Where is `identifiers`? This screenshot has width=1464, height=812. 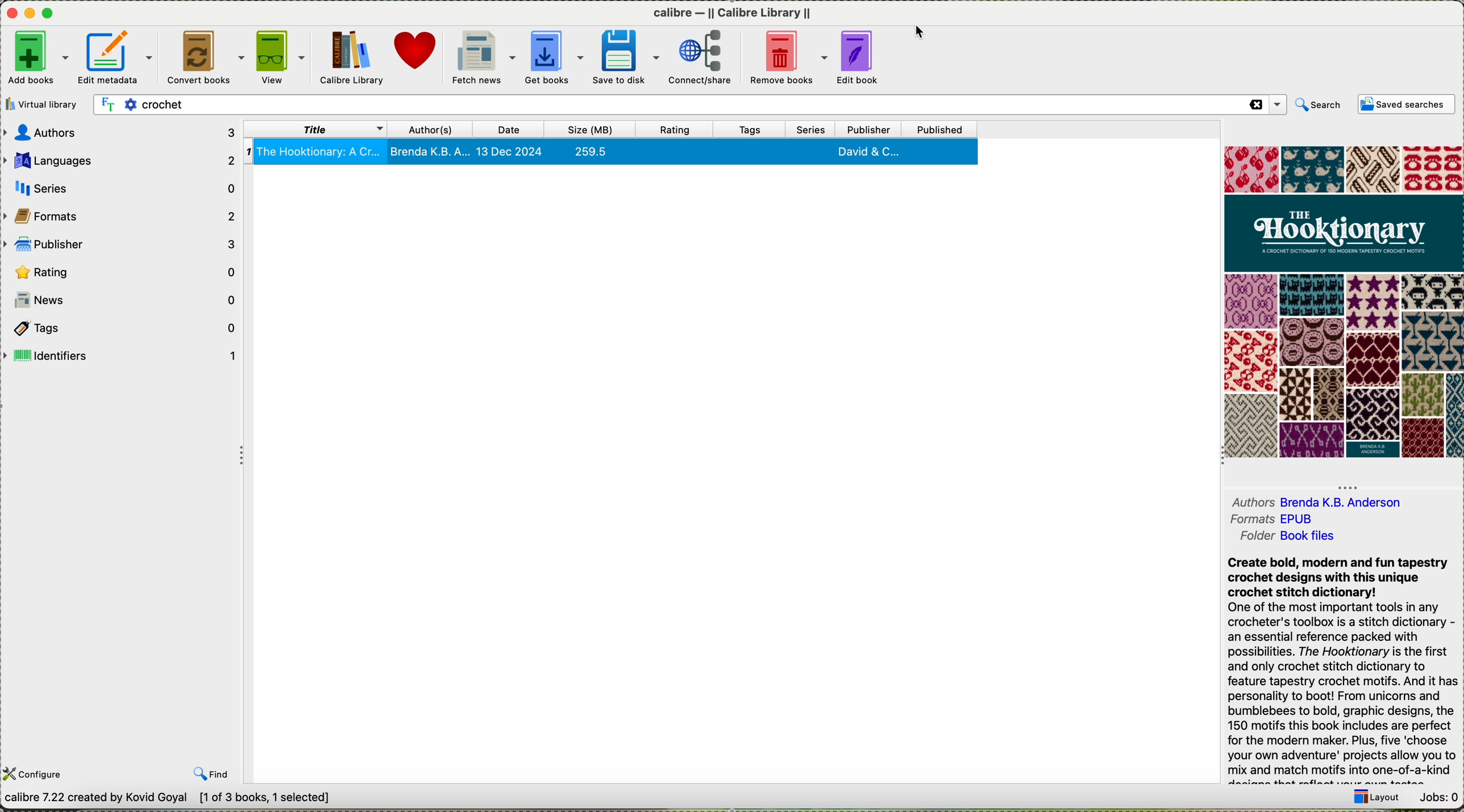
identifiers is located at coordinates (123, 355).